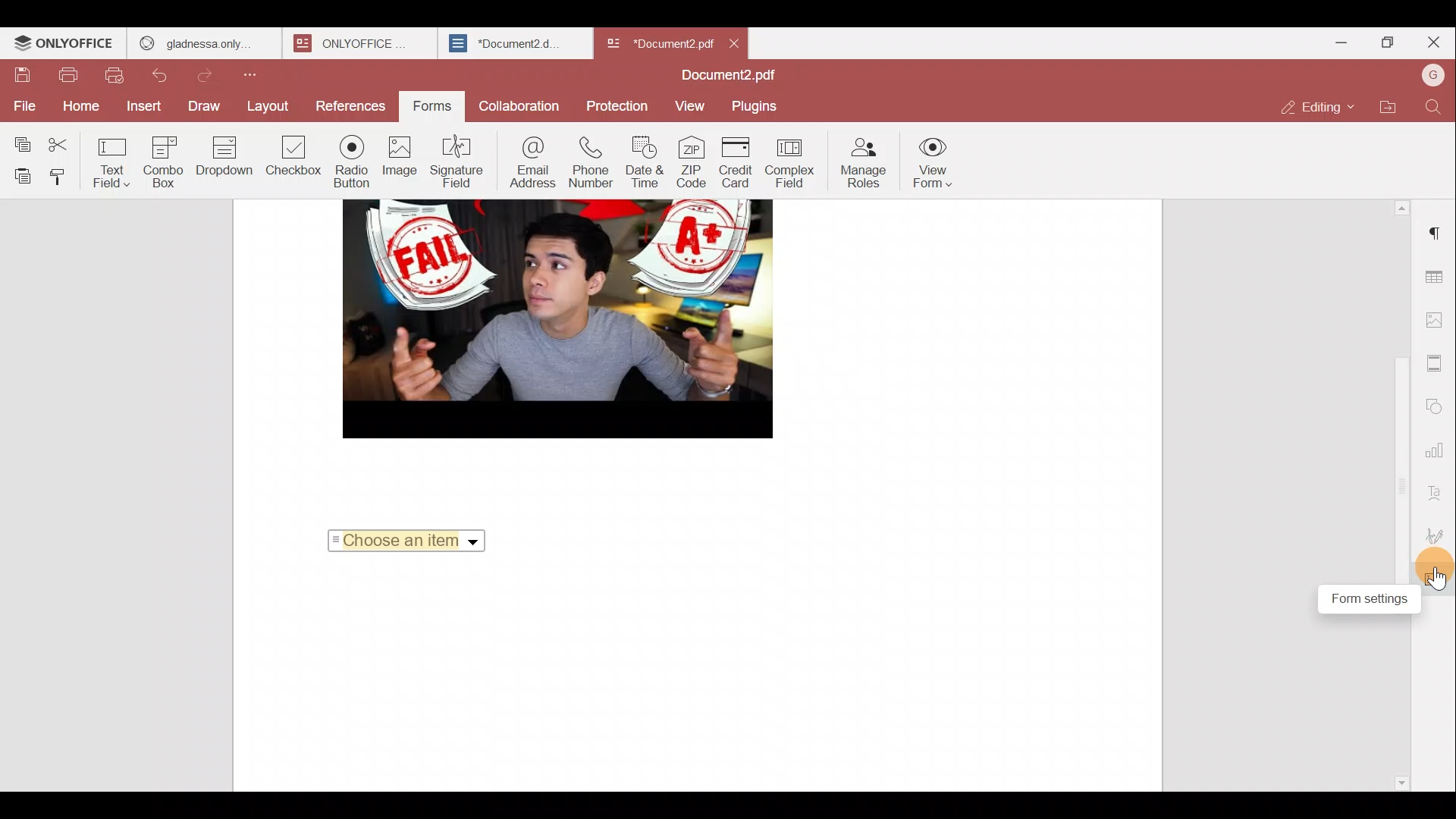 The image size is (1456, 819). Describe the element at coordinates (20, 176) in the screenshot. I see `Paste` at that location.